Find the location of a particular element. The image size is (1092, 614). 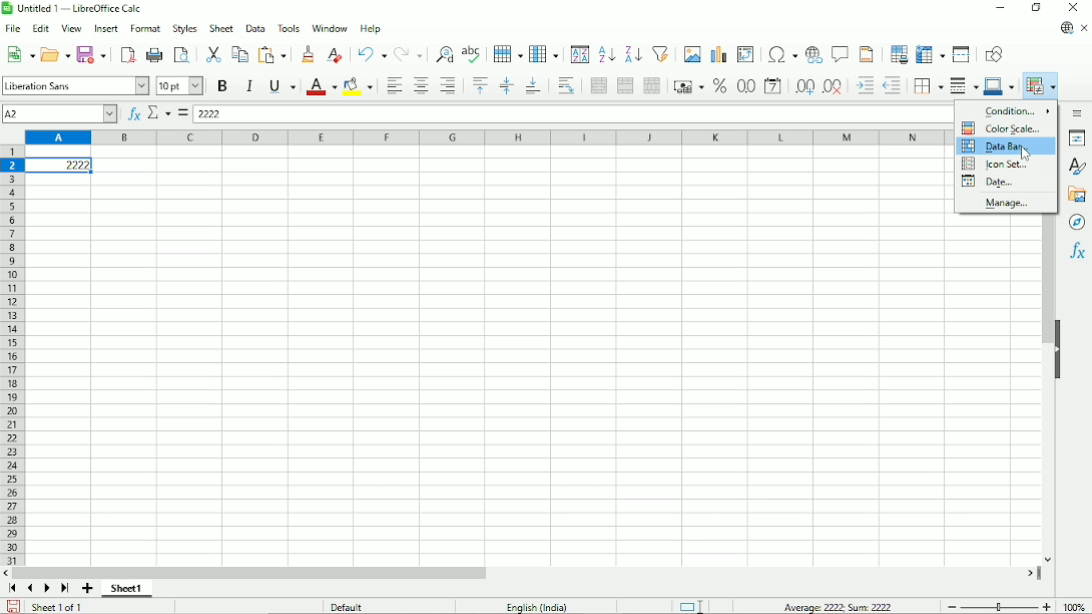

Column headings is located at coordinates (486, 137).